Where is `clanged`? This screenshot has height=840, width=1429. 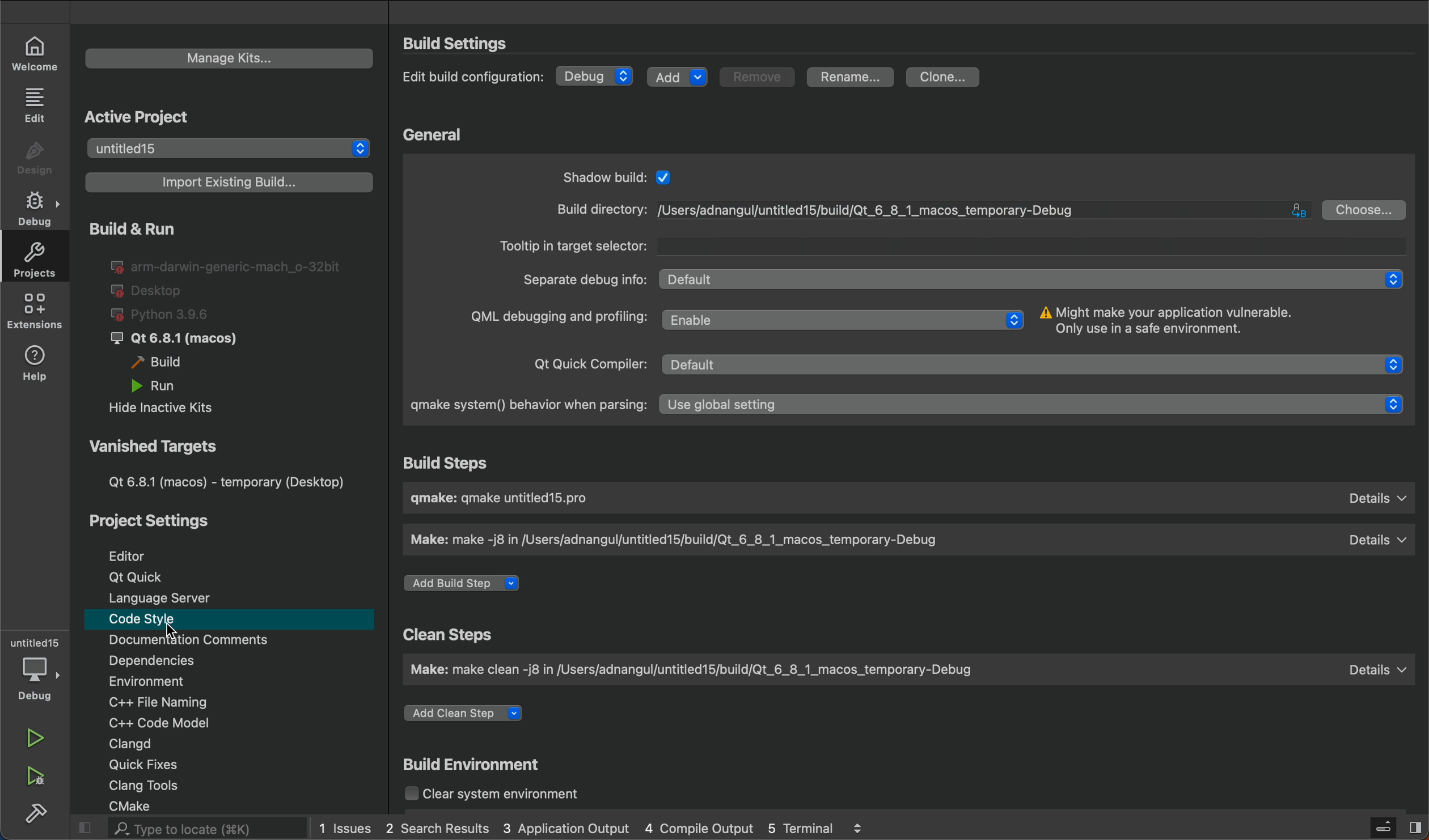
clanged is located at coordinates (175, 744).